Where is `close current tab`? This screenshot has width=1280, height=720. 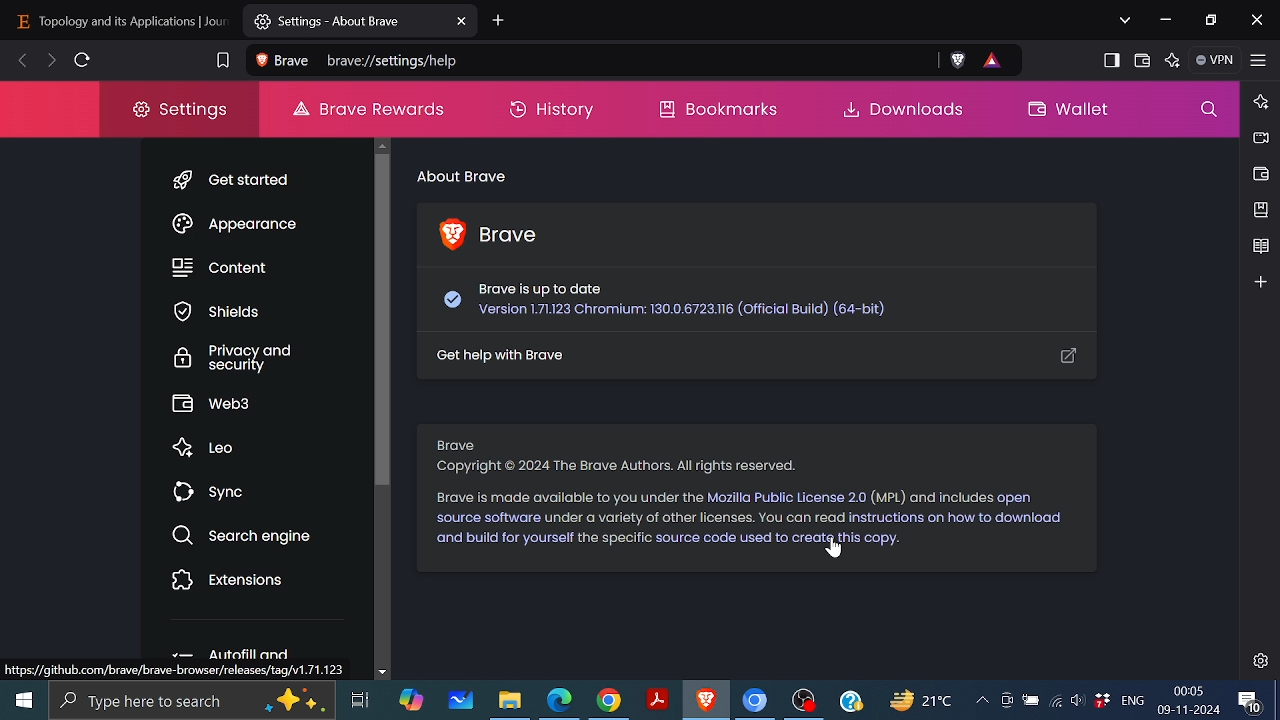
close current tab is located at coordinates (462, 22).